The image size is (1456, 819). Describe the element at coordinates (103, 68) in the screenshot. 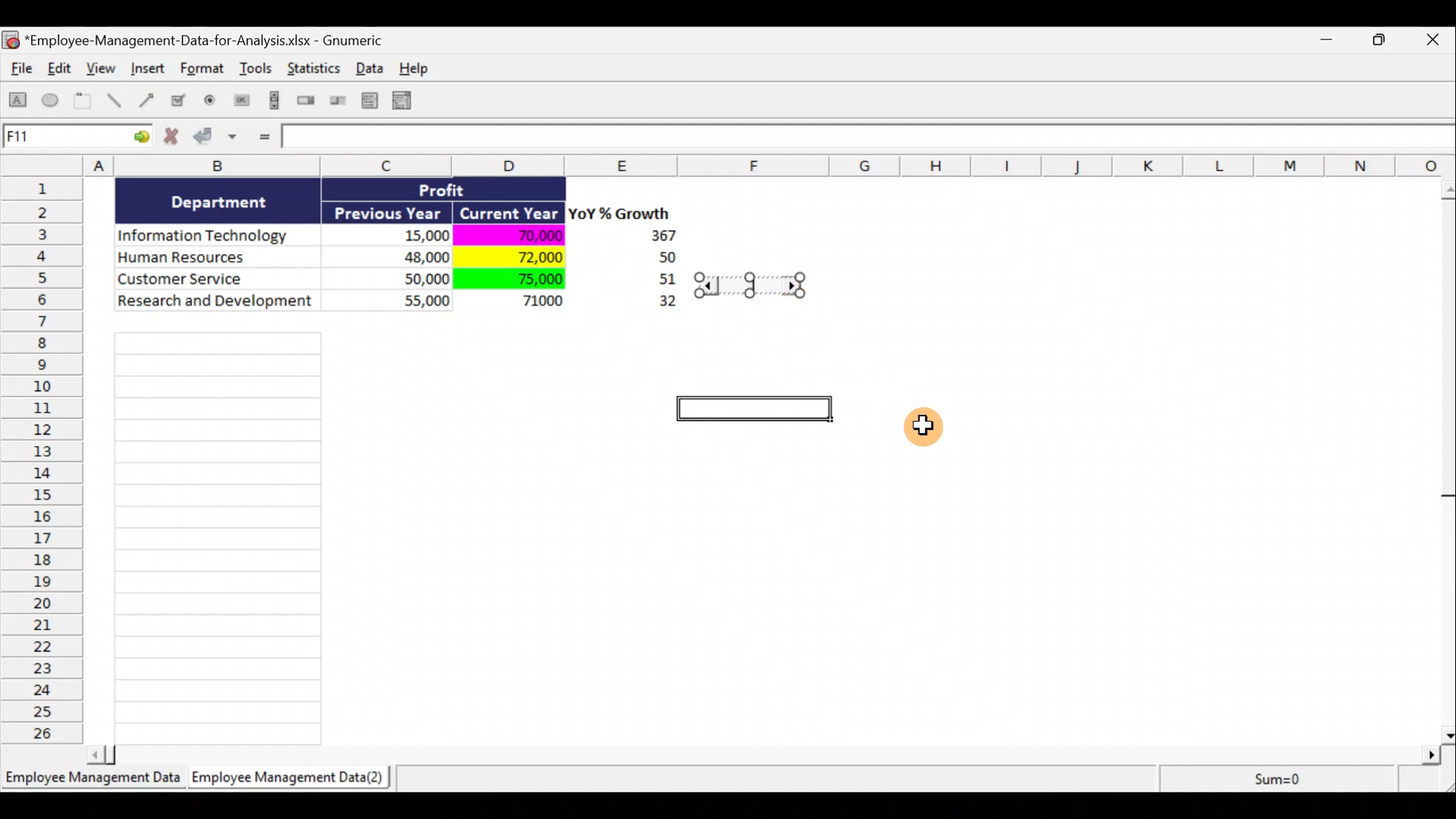

I see `View` at that location.